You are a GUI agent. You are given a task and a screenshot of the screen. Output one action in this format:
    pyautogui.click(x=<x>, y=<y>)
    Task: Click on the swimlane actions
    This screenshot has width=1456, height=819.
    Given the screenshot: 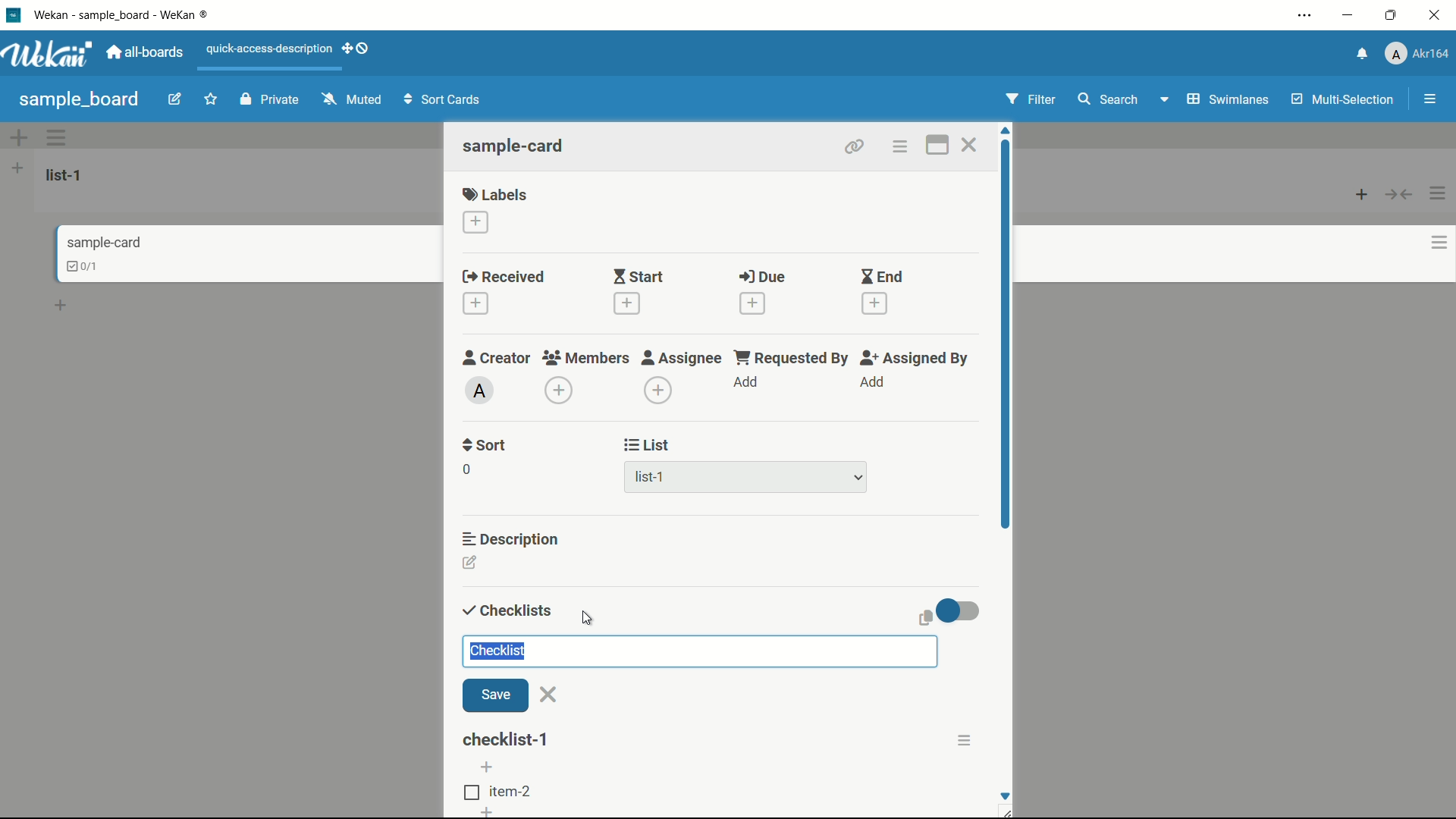 What is the action you would take?
    pyautogui.click(x=58, y=137)
    